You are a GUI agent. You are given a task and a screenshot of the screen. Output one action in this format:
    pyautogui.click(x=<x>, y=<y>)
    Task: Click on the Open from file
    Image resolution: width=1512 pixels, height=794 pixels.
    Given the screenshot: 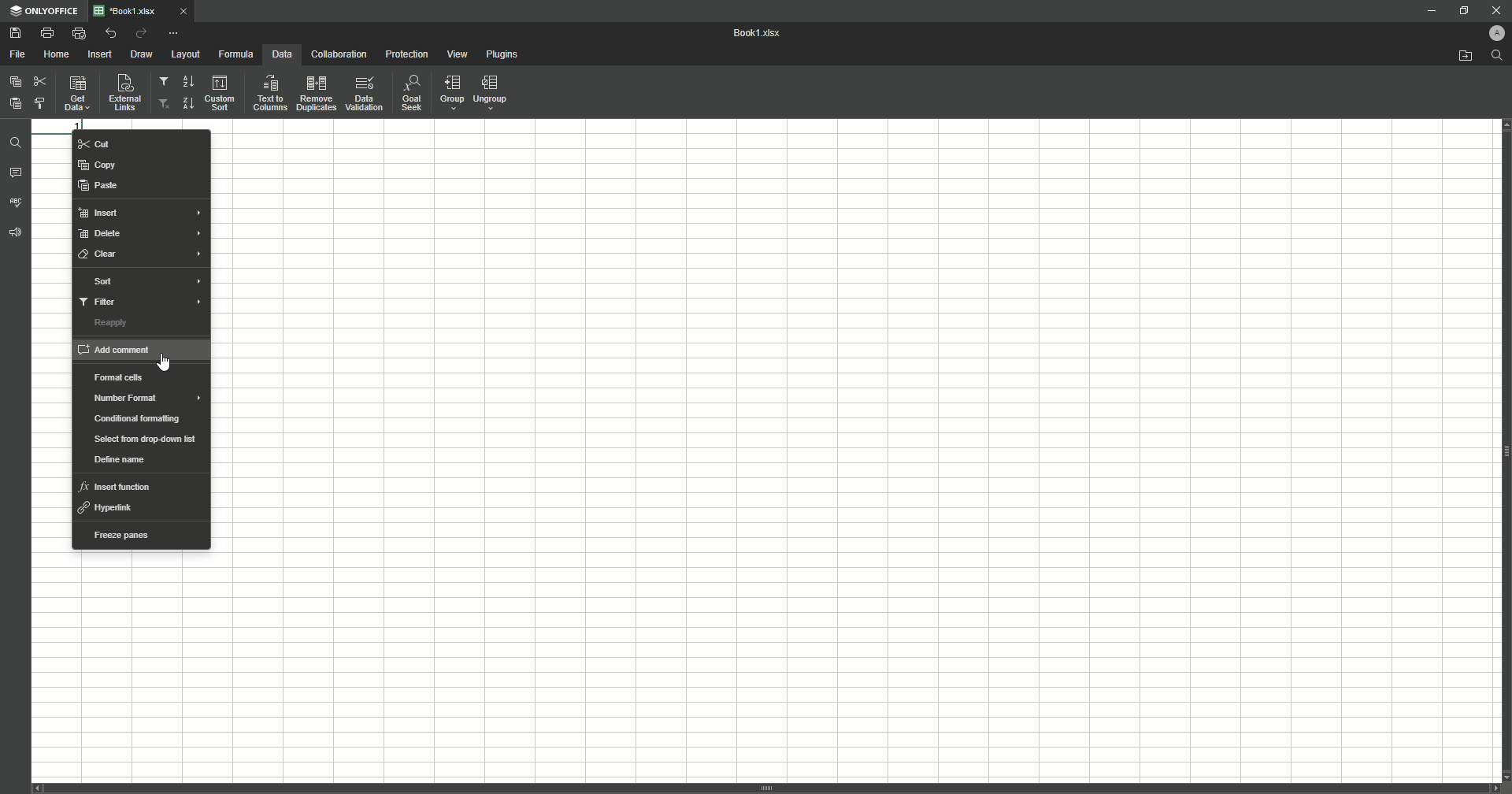 What is the action you would take?
    pyautogui.click(x=1458, y=57)
    